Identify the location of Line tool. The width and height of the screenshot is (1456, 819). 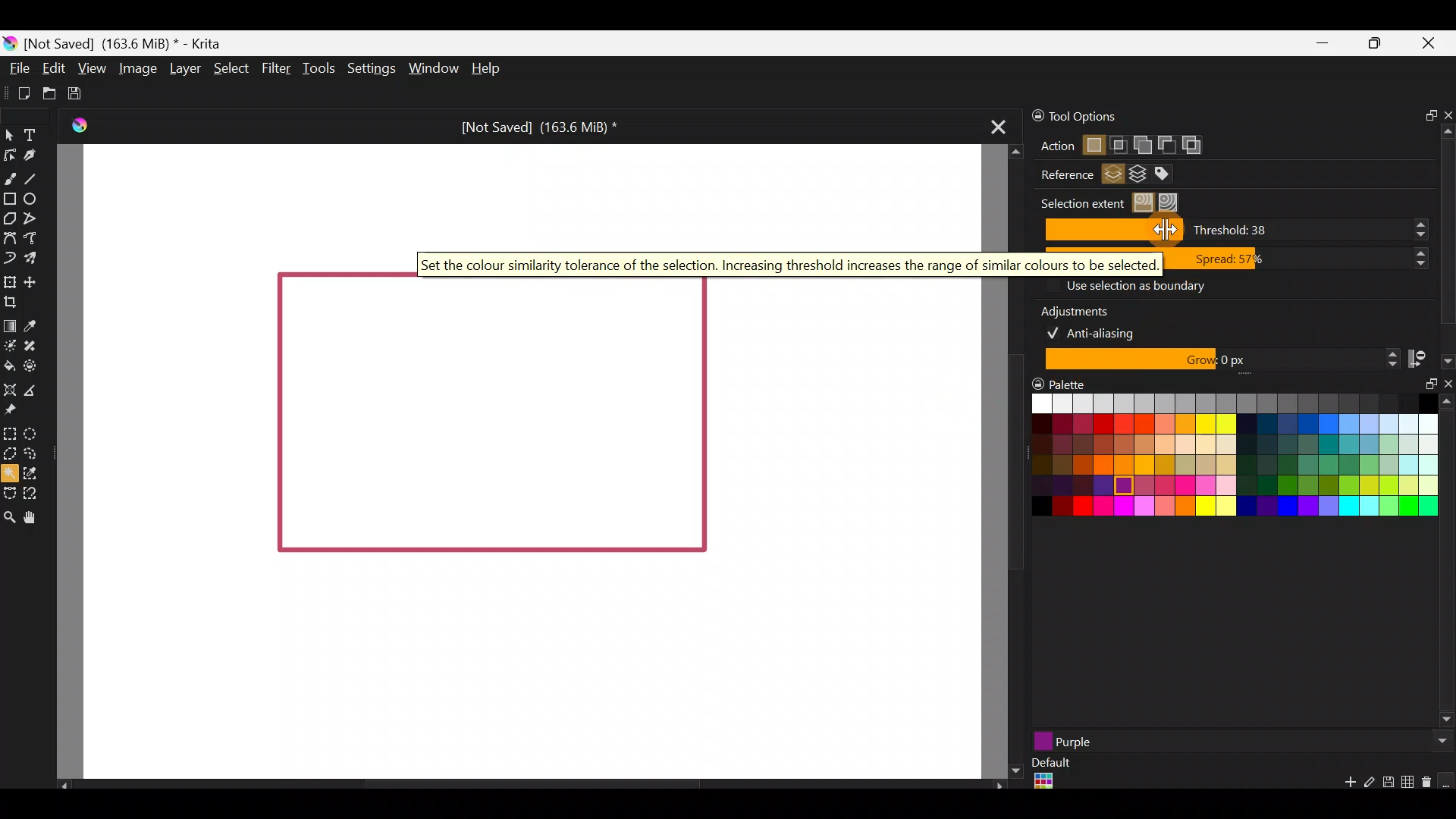
(36, 174).